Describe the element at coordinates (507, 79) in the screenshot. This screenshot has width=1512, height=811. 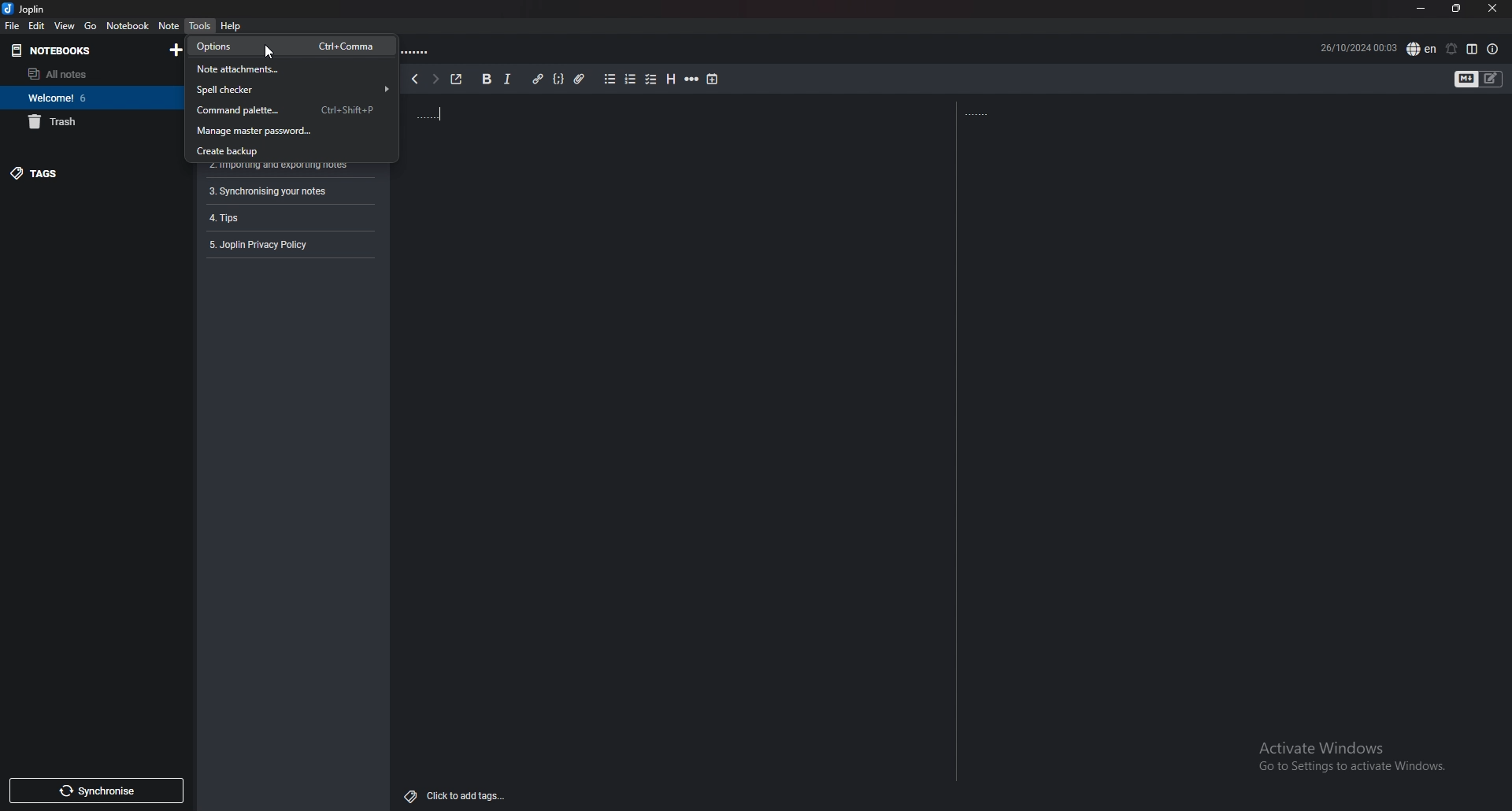
I see `italic` at that location.